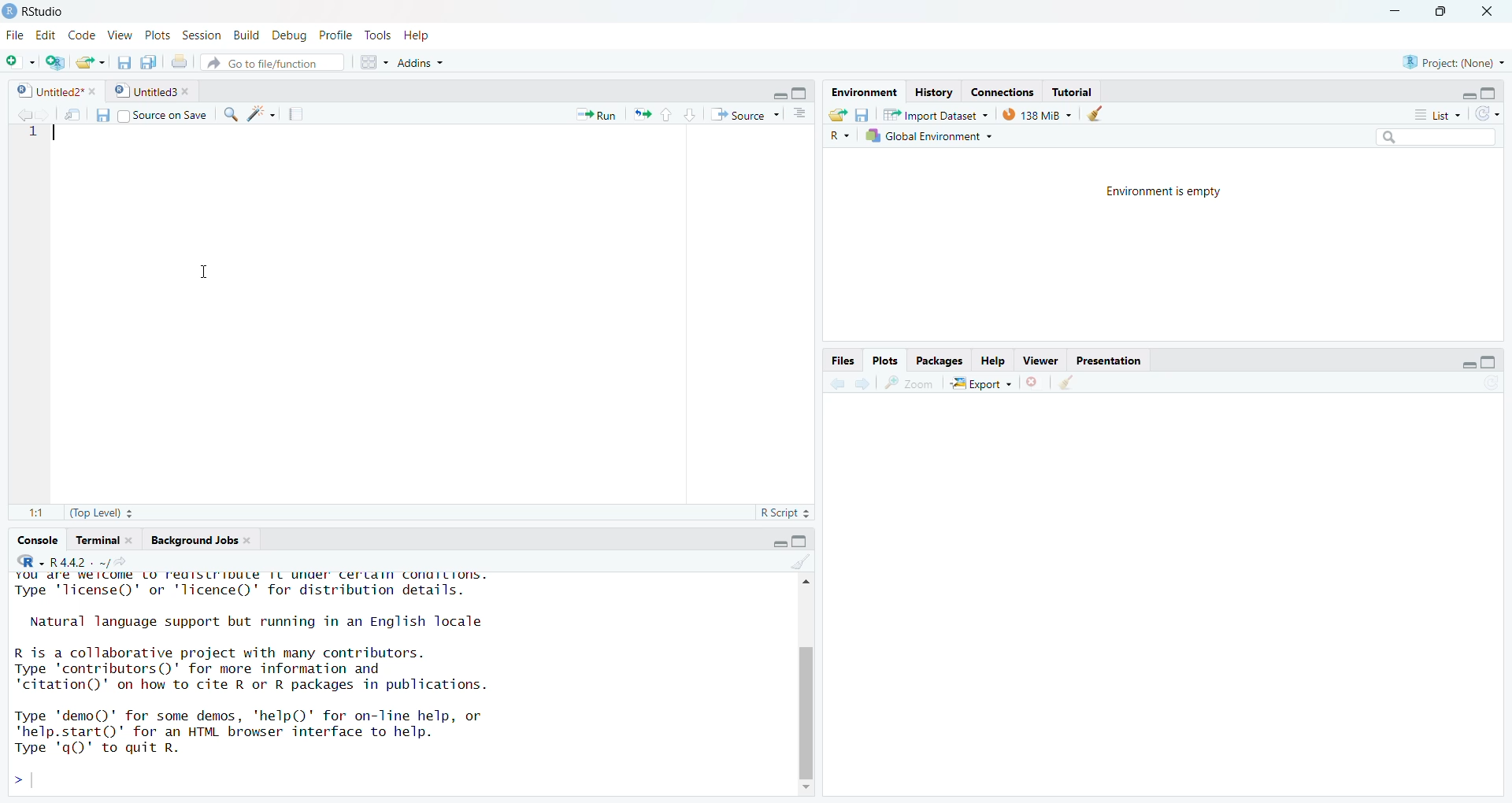  What do you see at coordinates (260, 114) in the screenshot?
I see `code tools` at bounding box center [260, 114].